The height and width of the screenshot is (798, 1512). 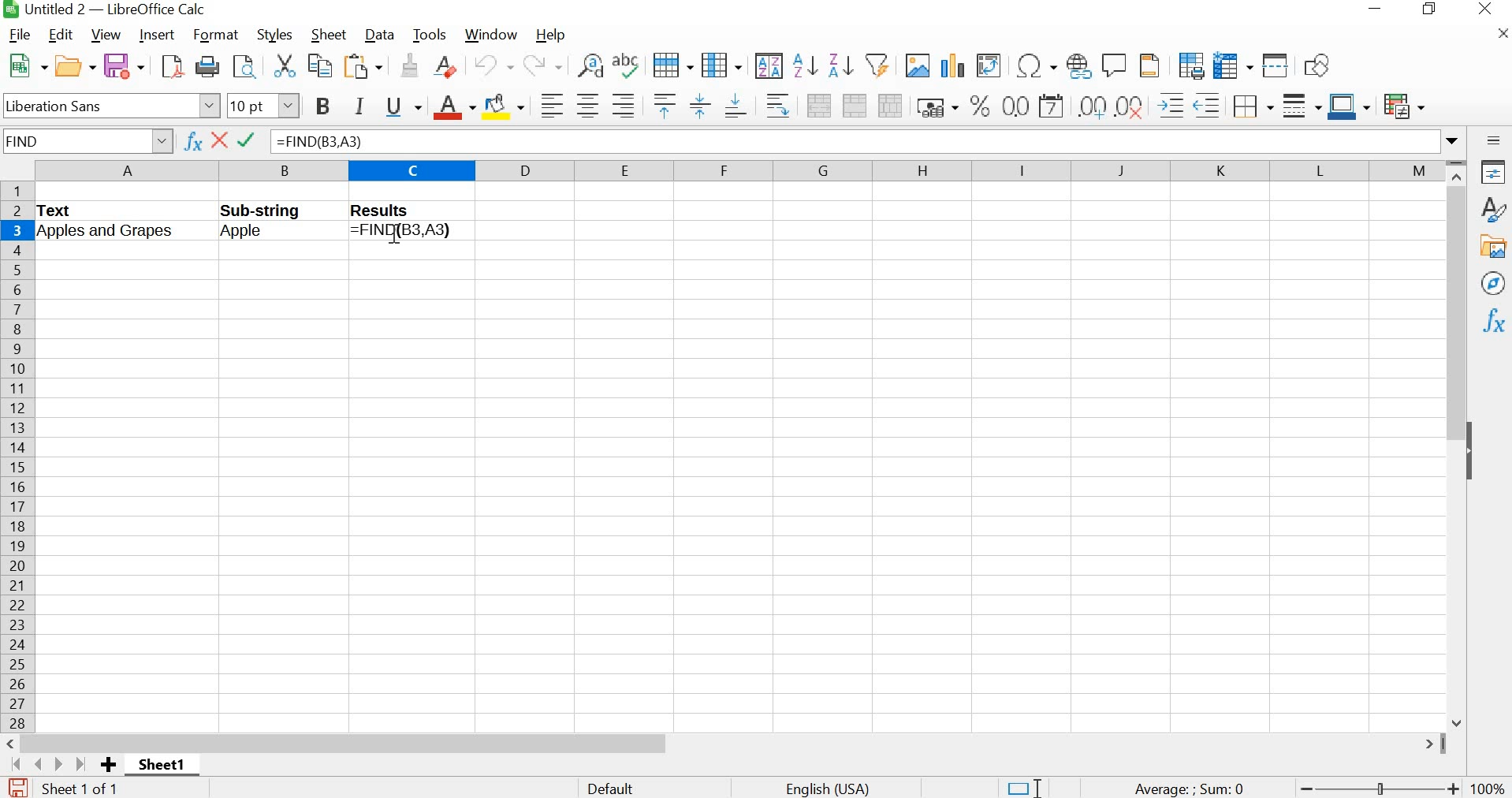 What do you see at coordinates (1502, 32) in the screenshot?
I see `close document` at bounding box center [1502, 32].